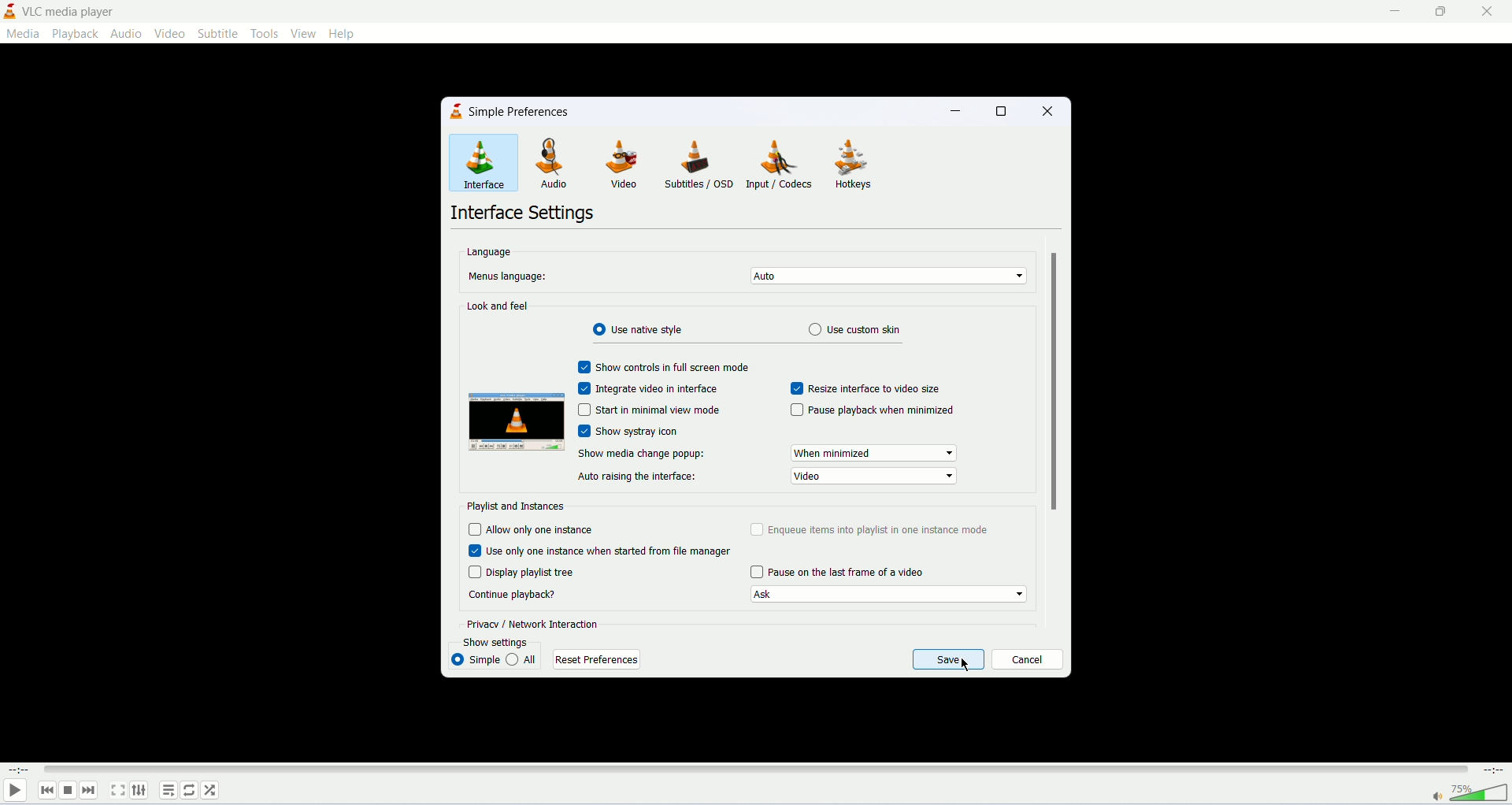 The width and height of the screenshot is (1512, 805). What do you see at coordinates (526, 572) in the screenshot?
I see `display playlist tree` at bounding box center [526, 572].